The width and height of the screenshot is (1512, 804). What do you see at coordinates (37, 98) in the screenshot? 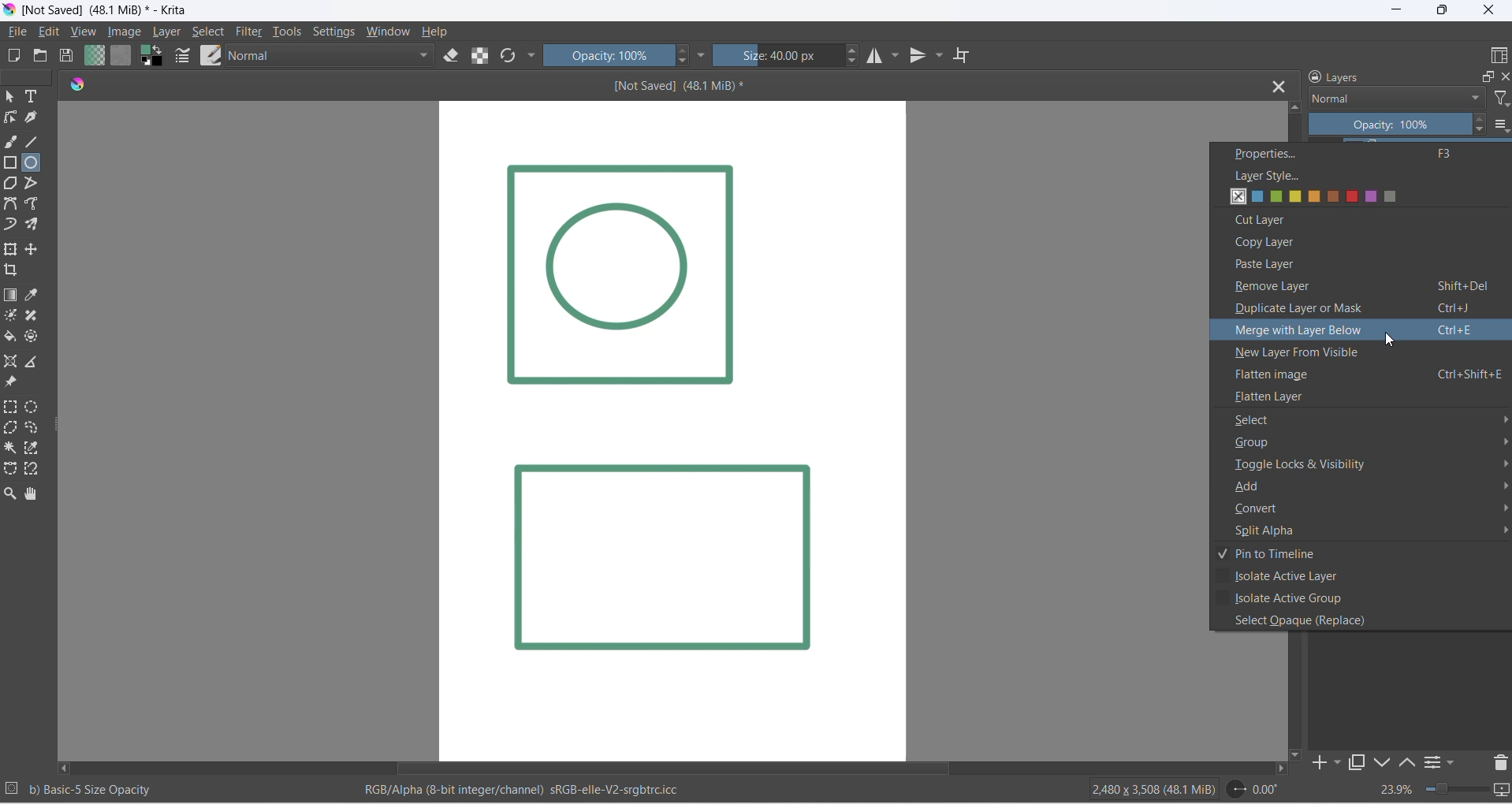
I see `text` at bounding box center [37, 98].